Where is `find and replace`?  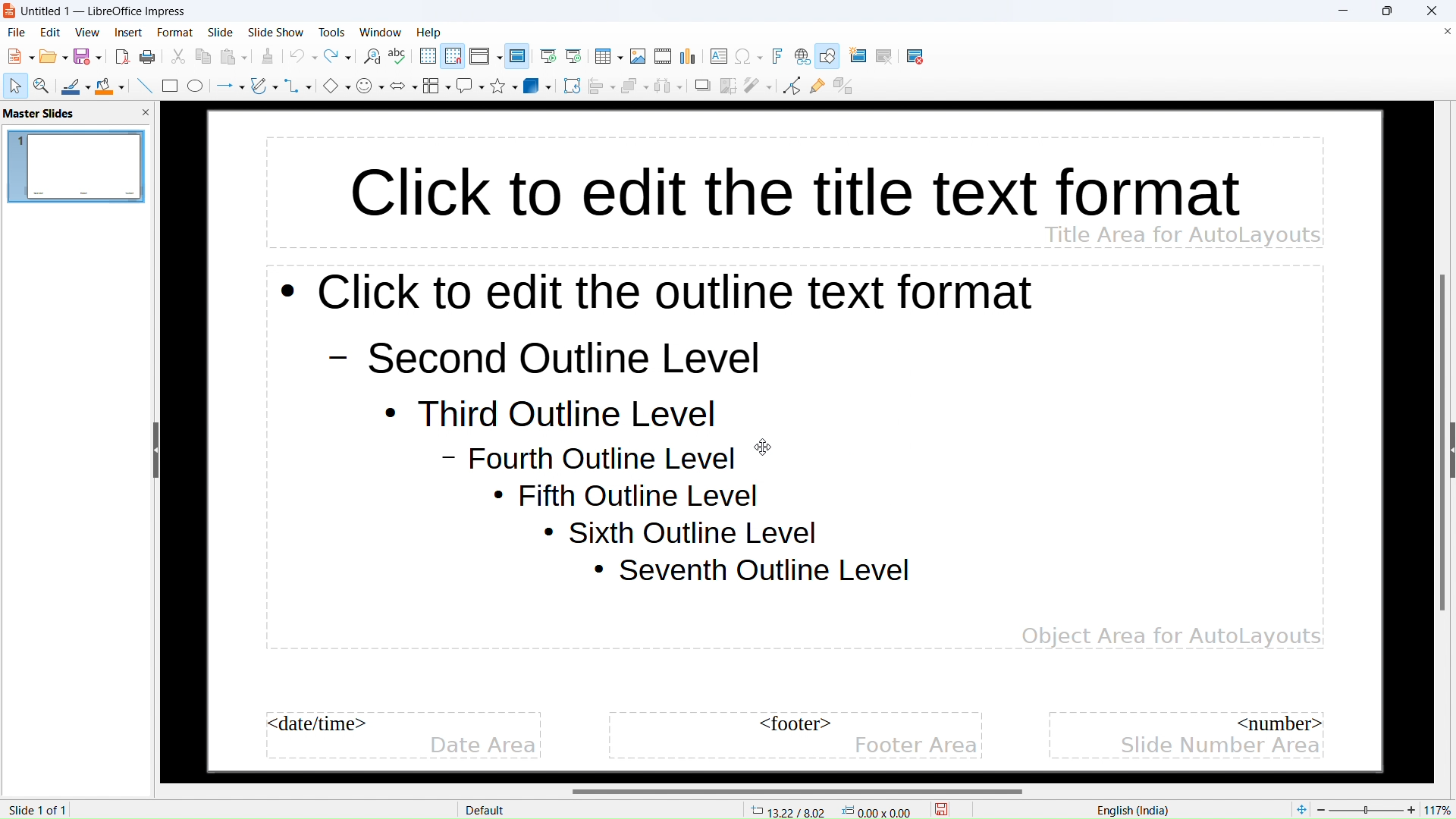 find and replace is located at coordinates (372, 57).